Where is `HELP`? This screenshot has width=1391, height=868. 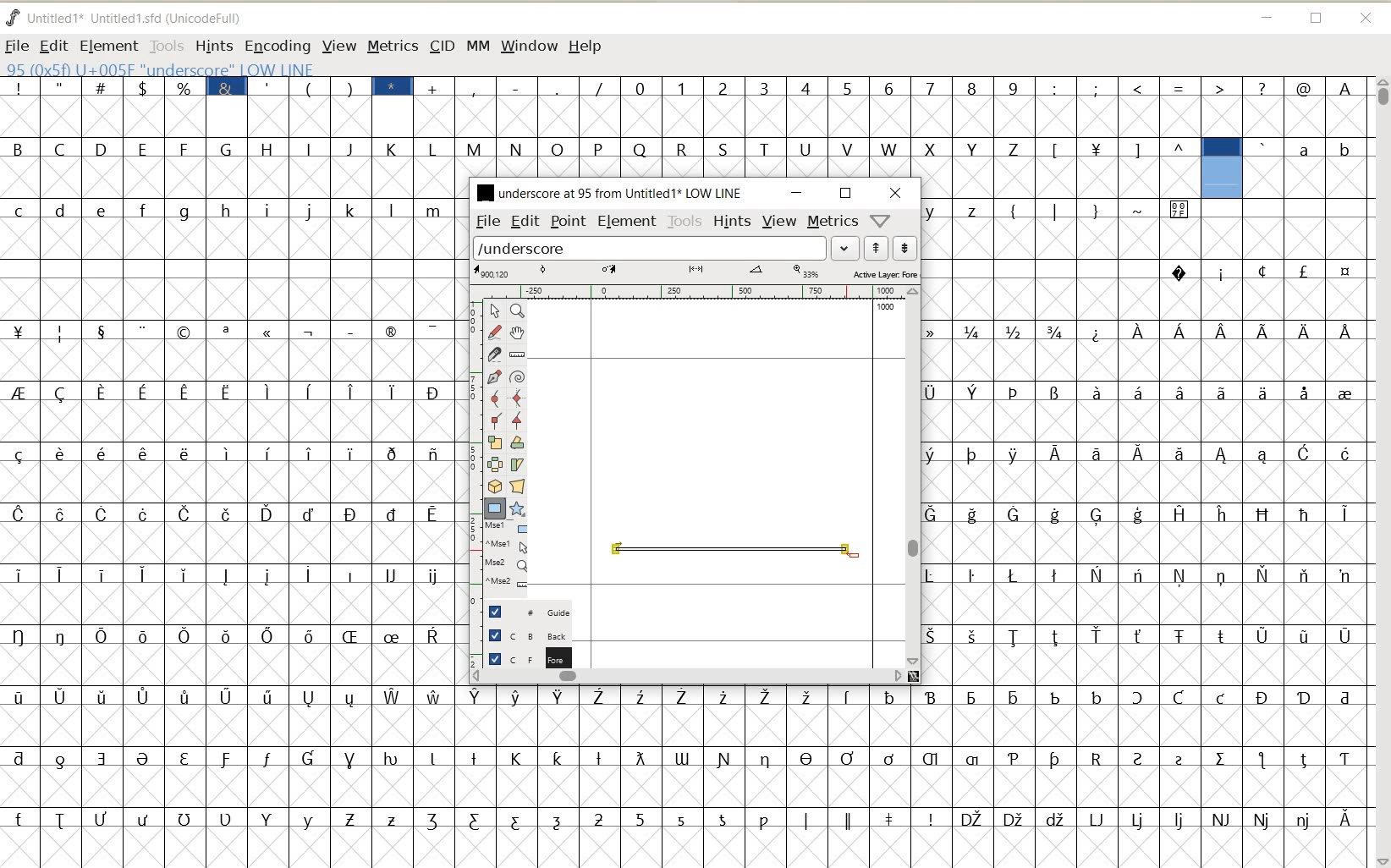 HELP is located at coordinates (587, 47).